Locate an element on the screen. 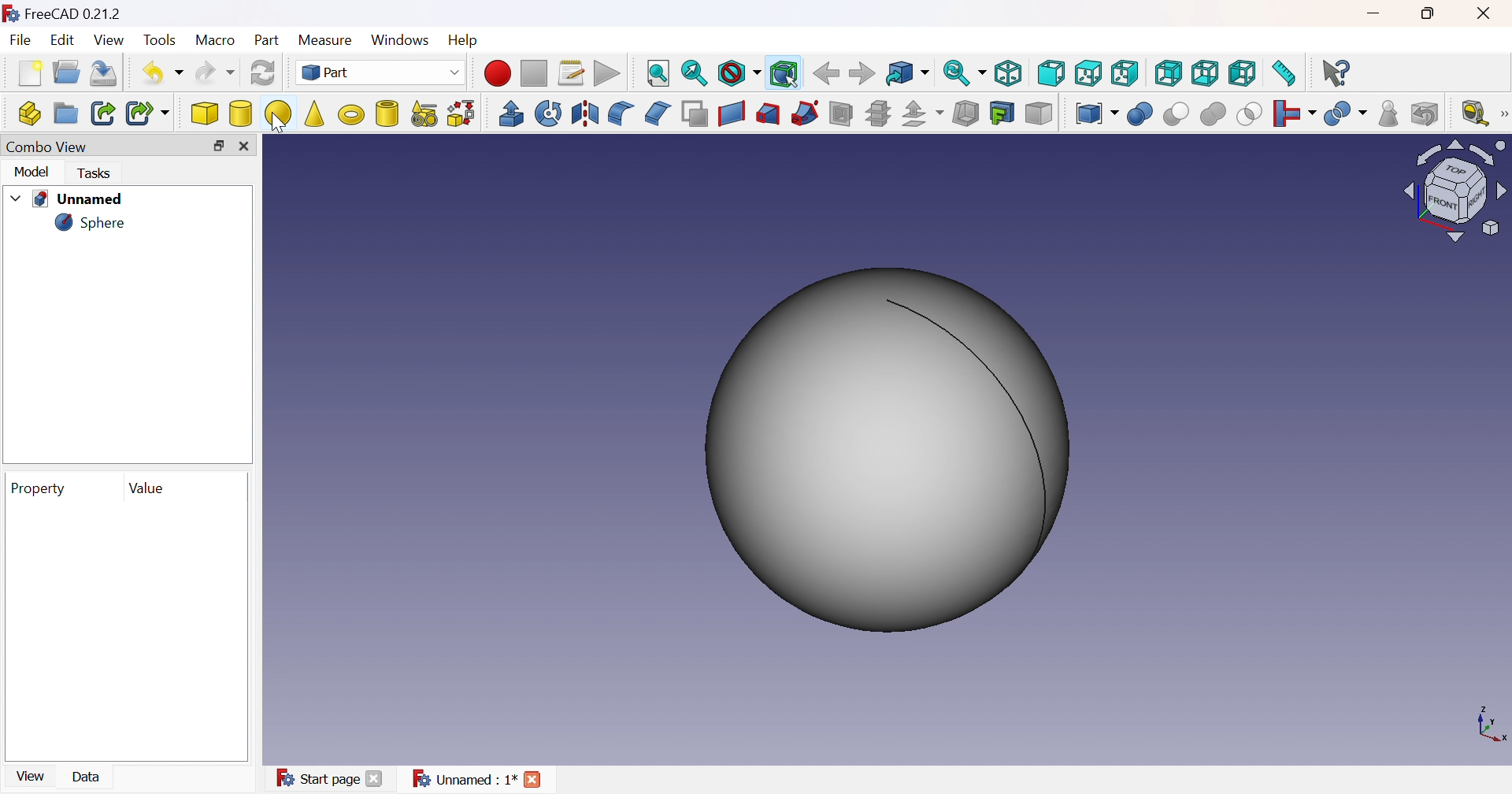 Image resolution: width=1512 pixels, height=794 pixels. Sweep is located at coordinates (806, 113).